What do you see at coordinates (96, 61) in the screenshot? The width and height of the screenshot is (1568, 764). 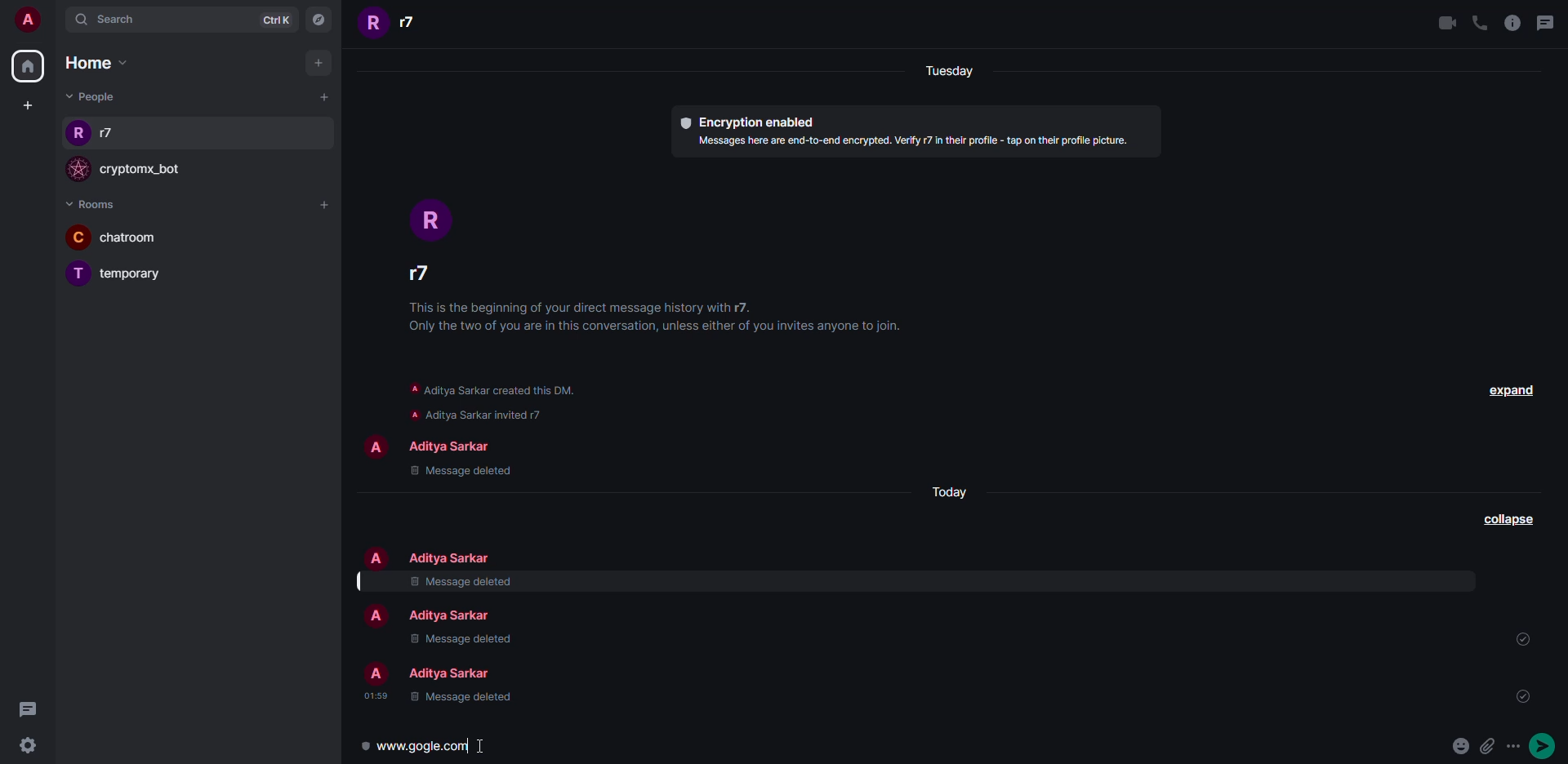 I see `home` at bounding box center [96, 61].